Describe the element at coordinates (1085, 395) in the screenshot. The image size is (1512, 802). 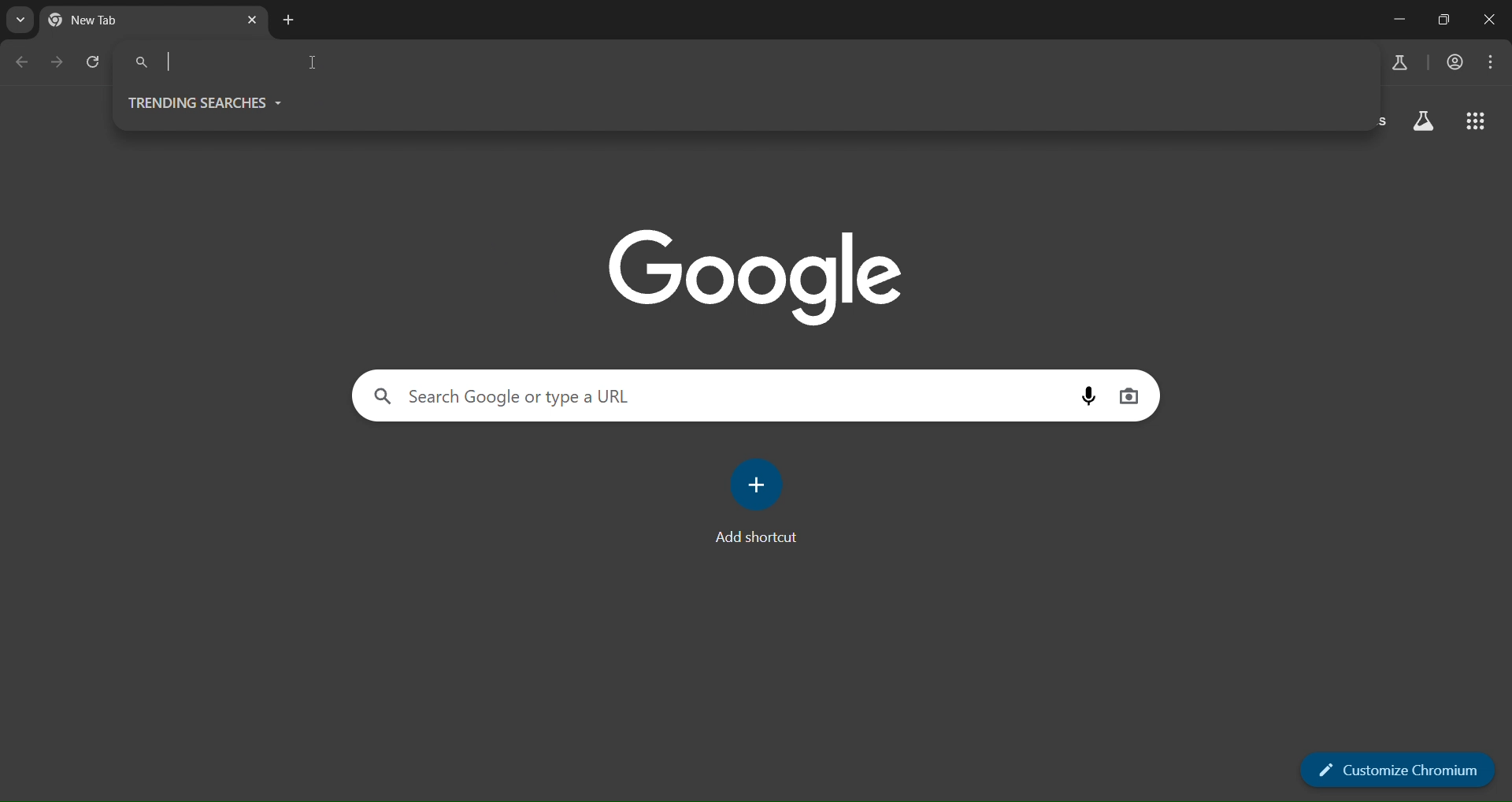
I see `voice search` at that location.